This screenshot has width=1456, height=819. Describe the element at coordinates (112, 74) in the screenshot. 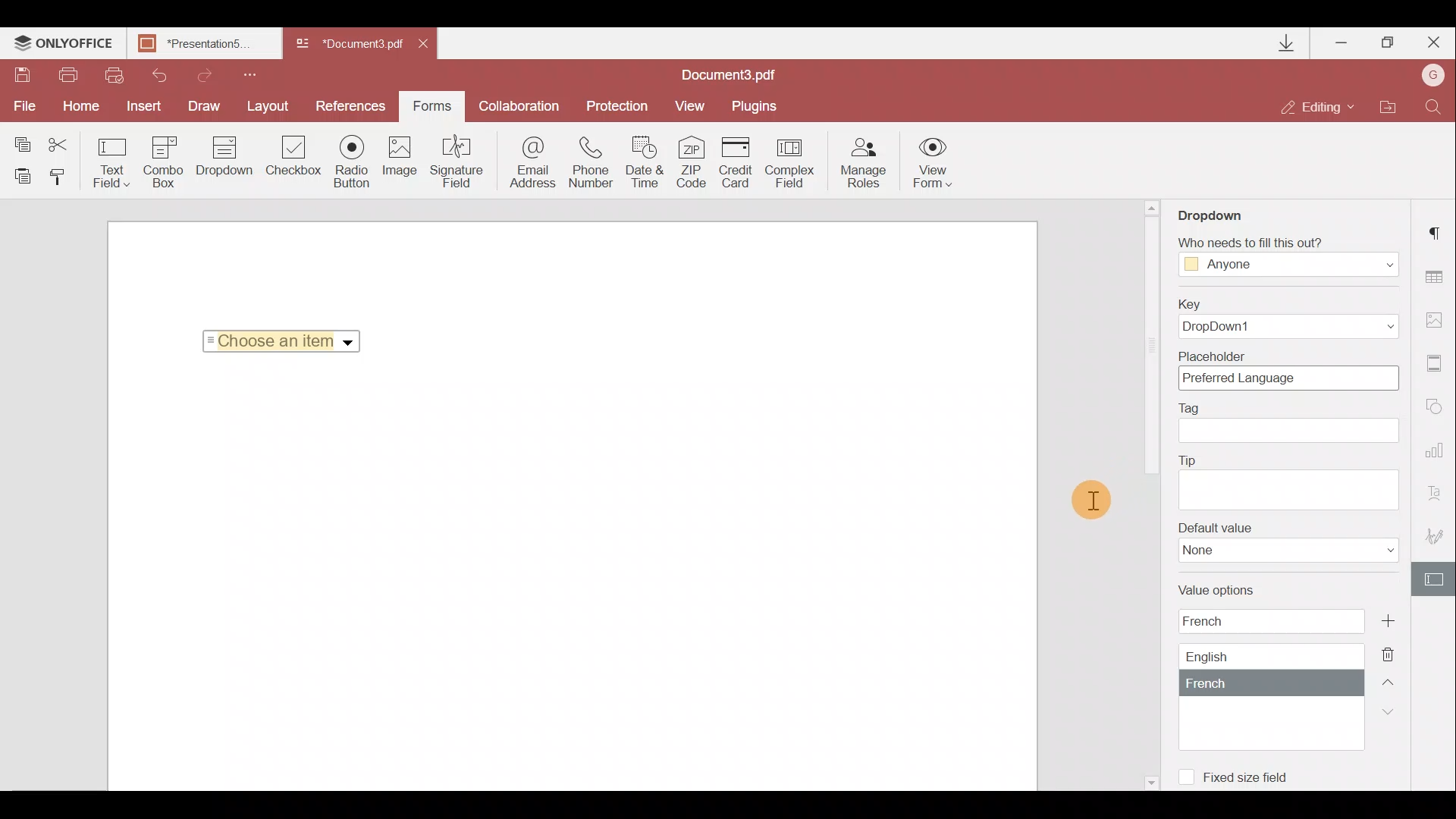

I see `Quick print` at that location.